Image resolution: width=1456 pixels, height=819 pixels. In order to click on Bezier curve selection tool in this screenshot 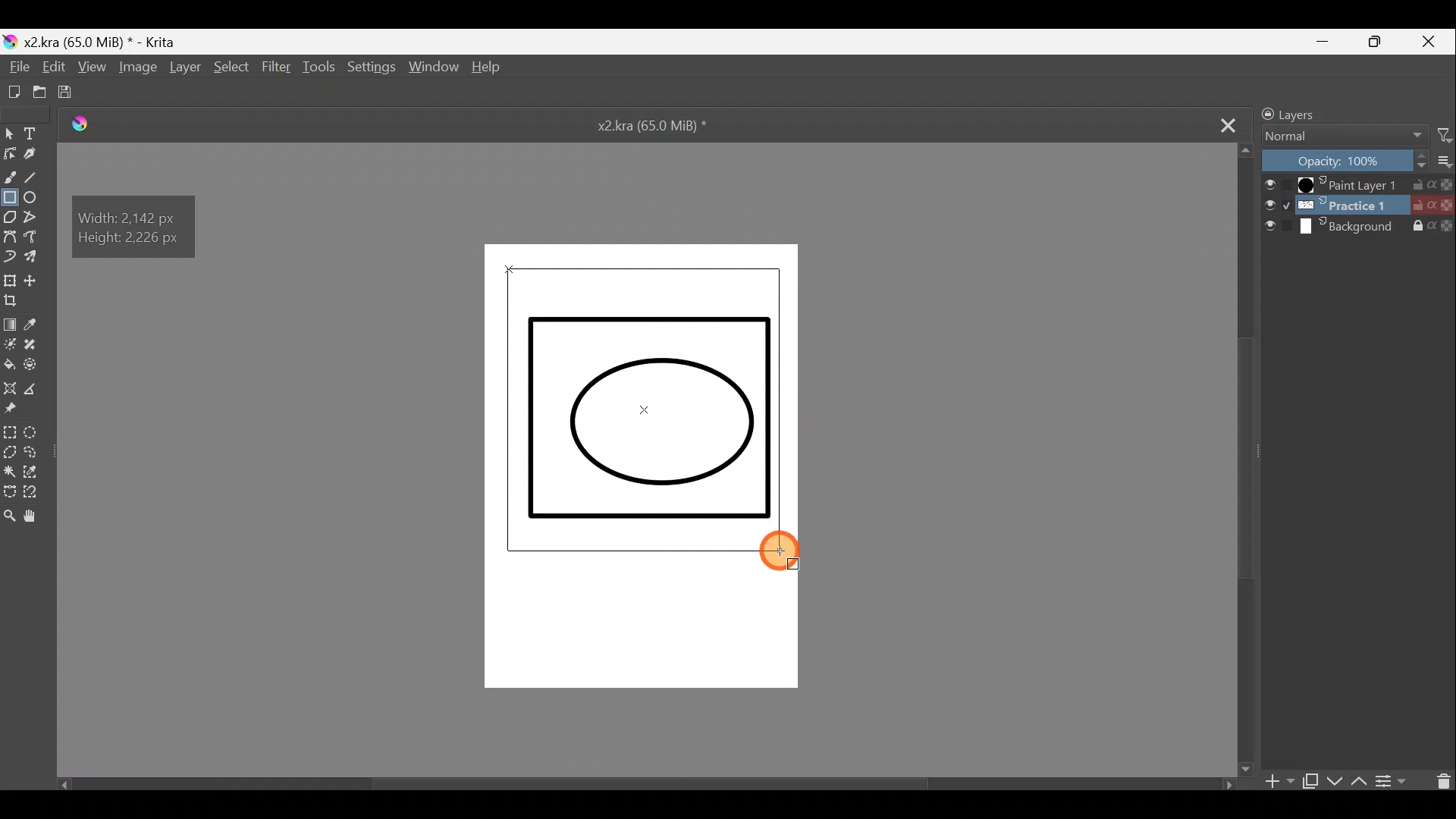, I will do `click(9, 494)`.